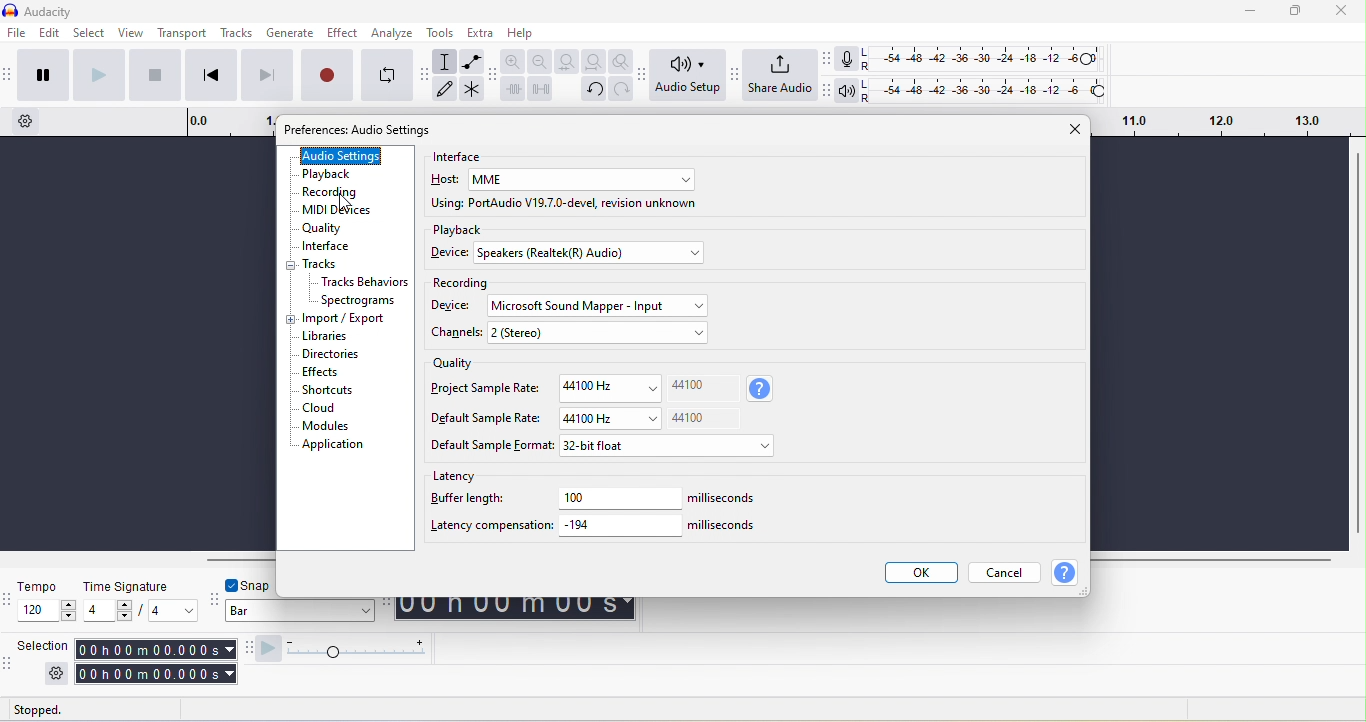 This screenshot has width=1366, height=722. Describe the element at coordinates (1342, 12) in the screenshot. I see `close` at that location.